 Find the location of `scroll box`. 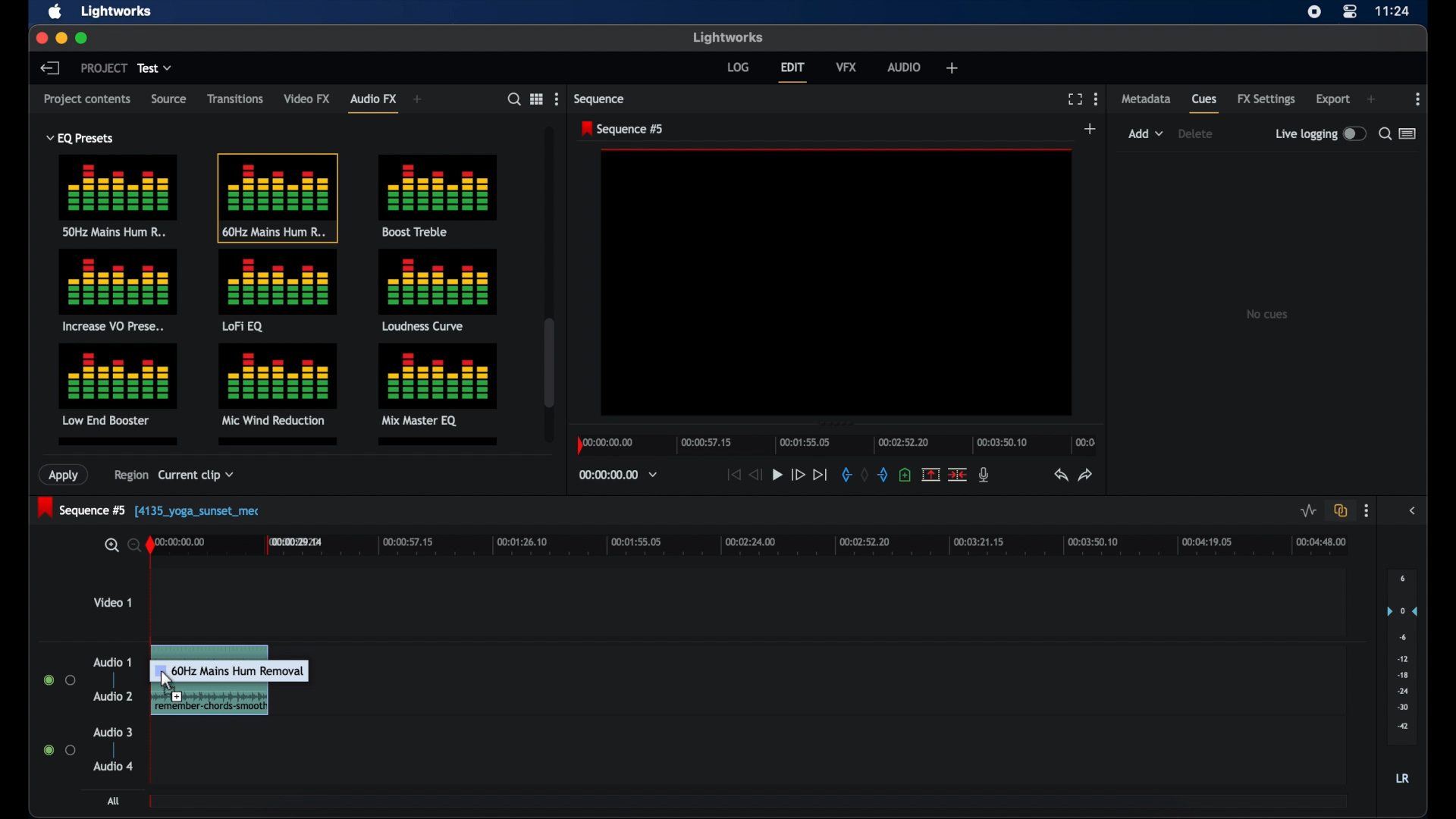

scroll box is located at coordinates (549, 362).